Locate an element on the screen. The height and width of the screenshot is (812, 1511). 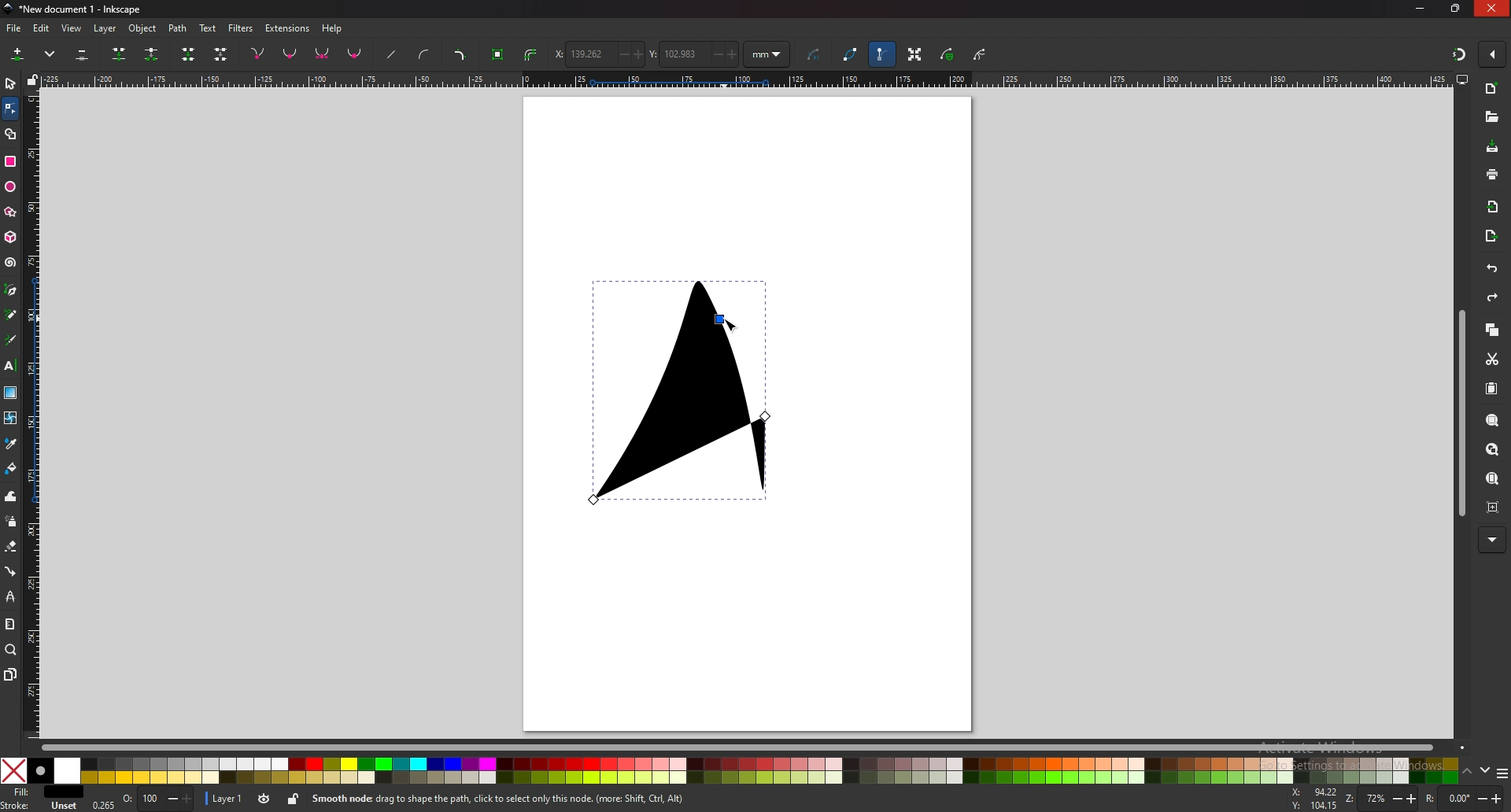
toggle visibility is located at coordinates (265, 799).